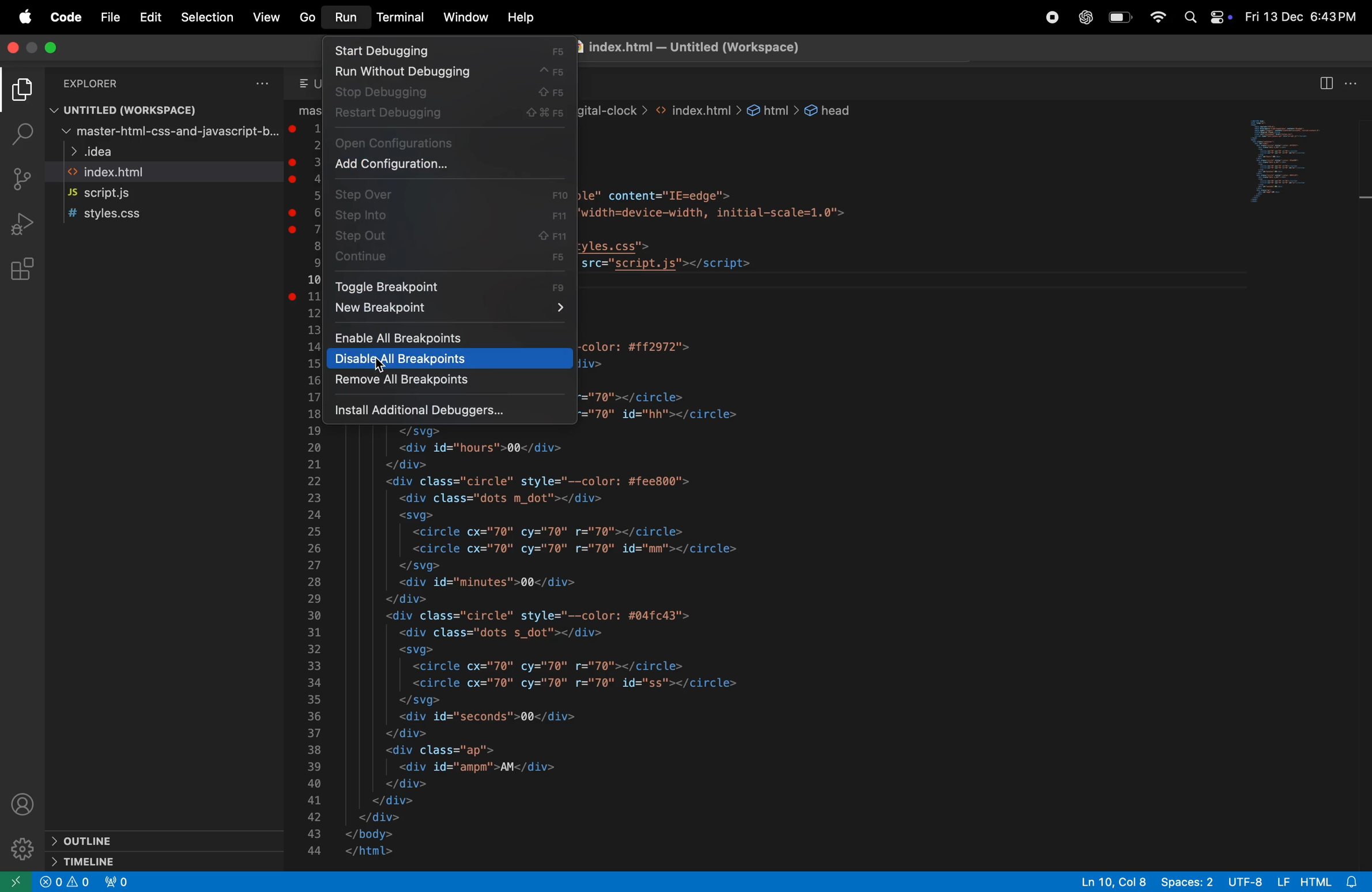 The height and width of the screenshot is (892, 1372). Describe the element at coordinates (450, 49) in the screenshot. I see `start debugging` at that location.